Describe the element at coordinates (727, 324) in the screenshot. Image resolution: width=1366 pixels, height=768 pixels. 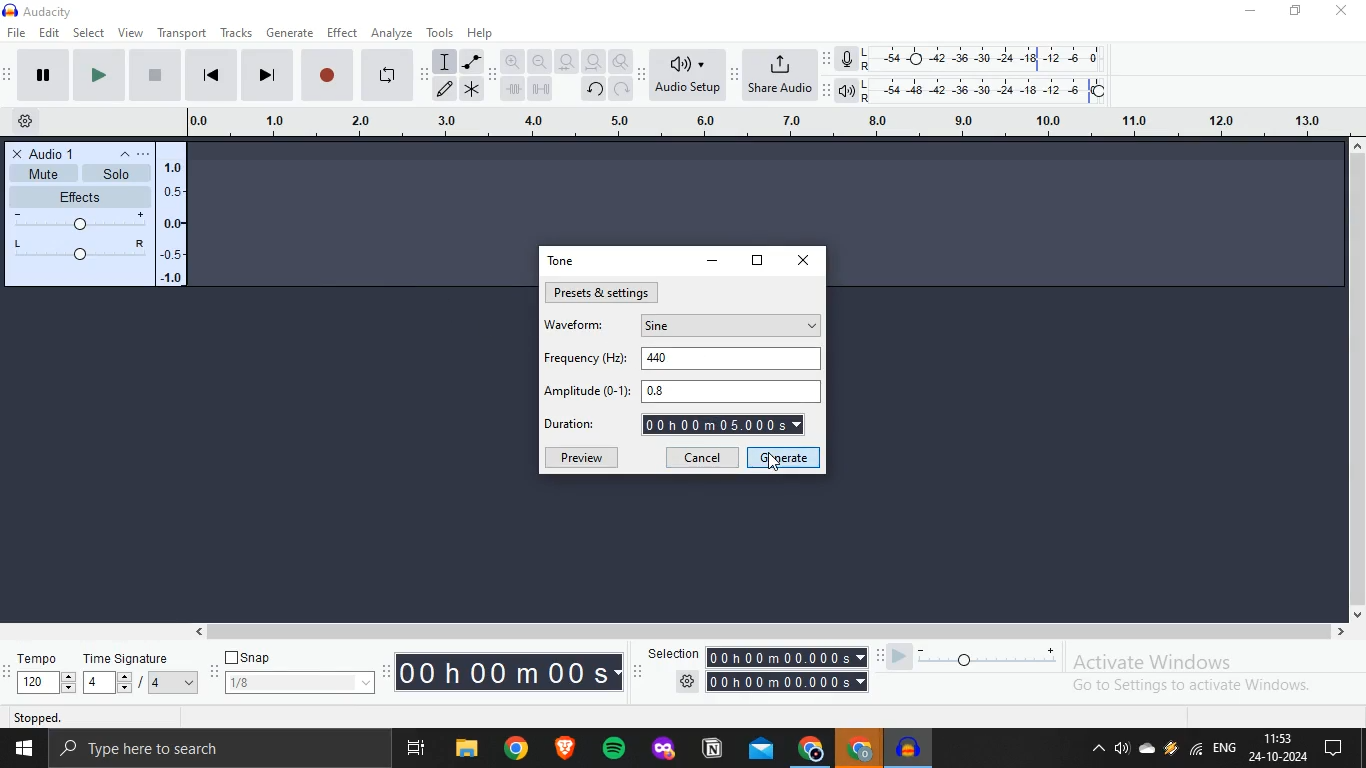
I see `Sine` at that location.